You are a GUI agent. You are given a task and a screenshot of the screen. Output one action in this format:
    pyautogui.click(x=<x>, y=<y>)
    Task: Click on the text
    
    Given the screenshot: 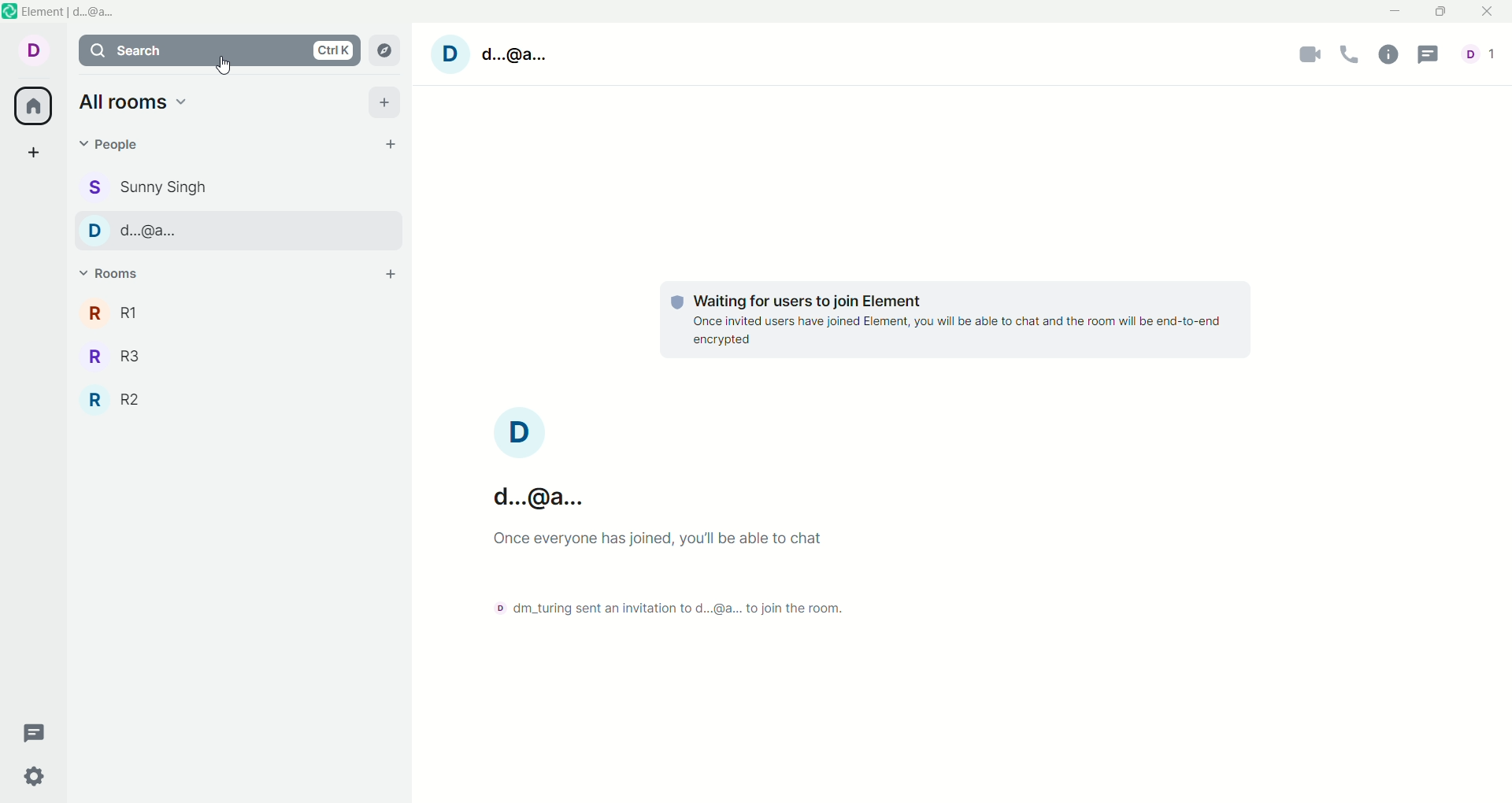 What is the action you would take?
    pyautogui.click(x=958, y=320)
    